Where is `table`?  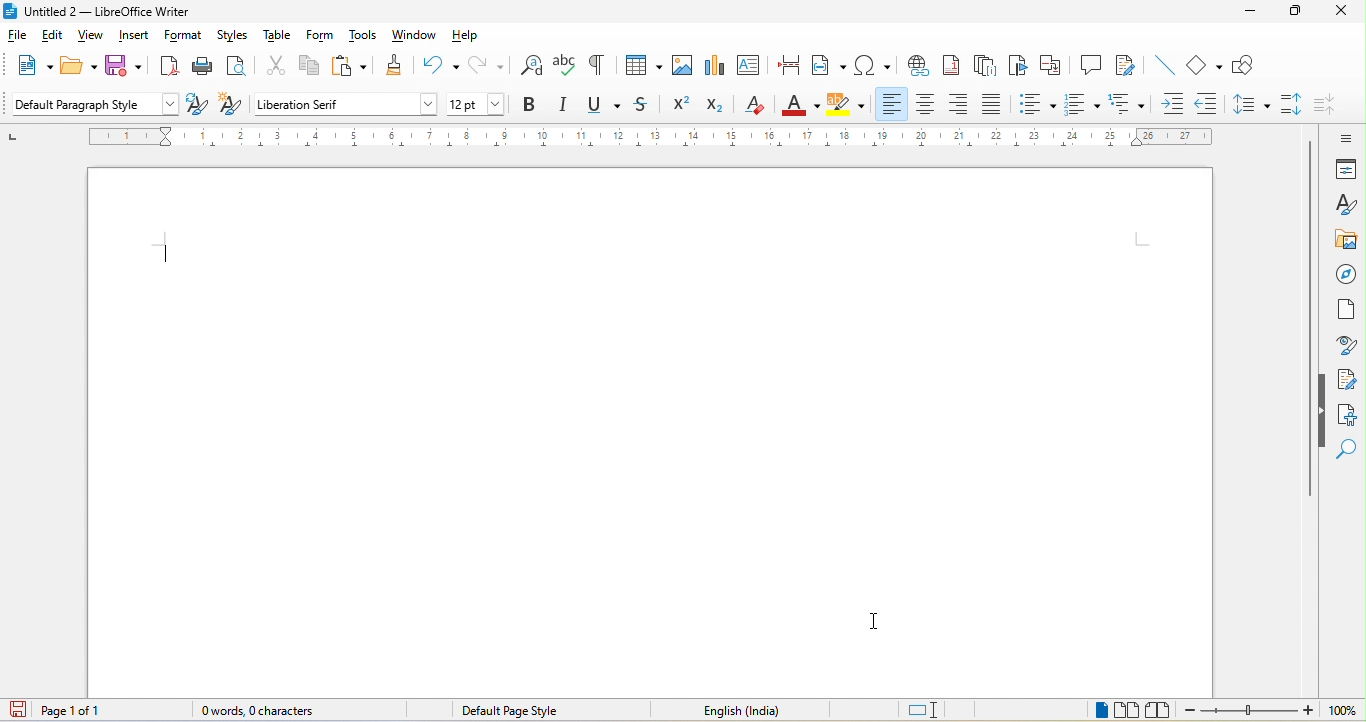 table is located at coordinates (280, 37).